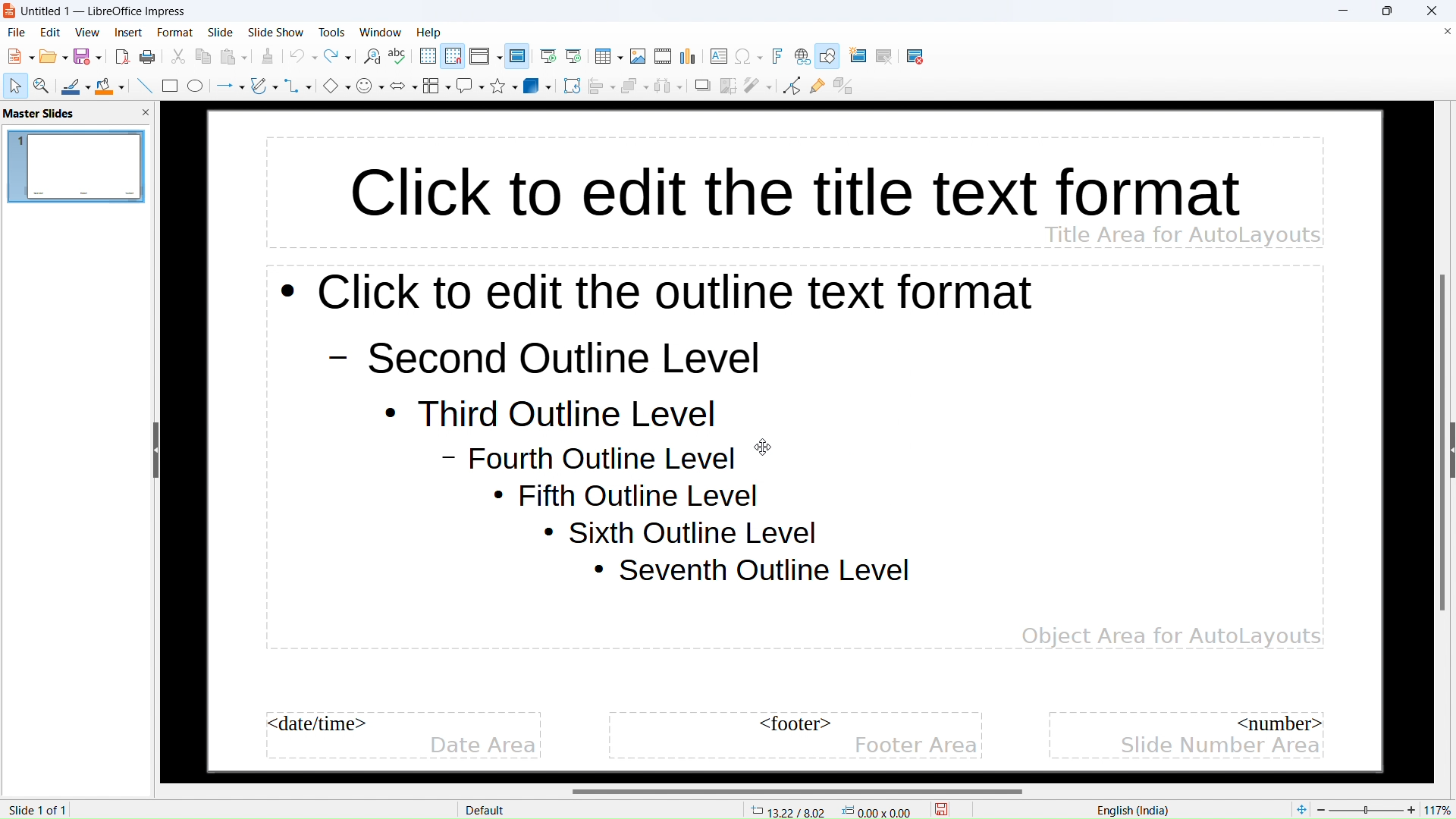  Describe the element at coordinates (104, 11) in the screenshot. I see `Untitled 1 -- LibreOffice Impress` at that location.